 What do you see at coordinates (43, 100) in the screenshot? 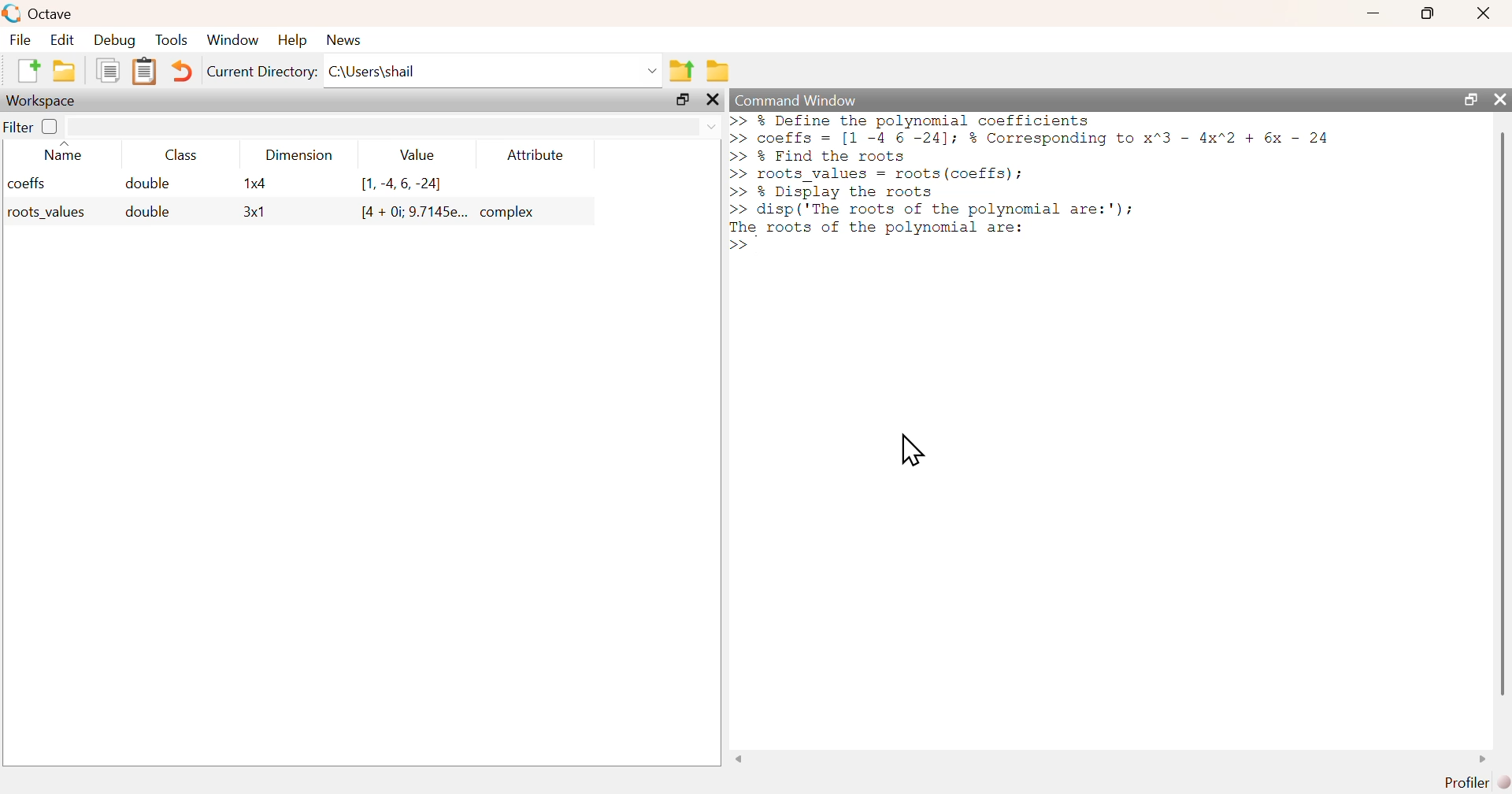
I see `Workspace` at bounding box center [43, 100].